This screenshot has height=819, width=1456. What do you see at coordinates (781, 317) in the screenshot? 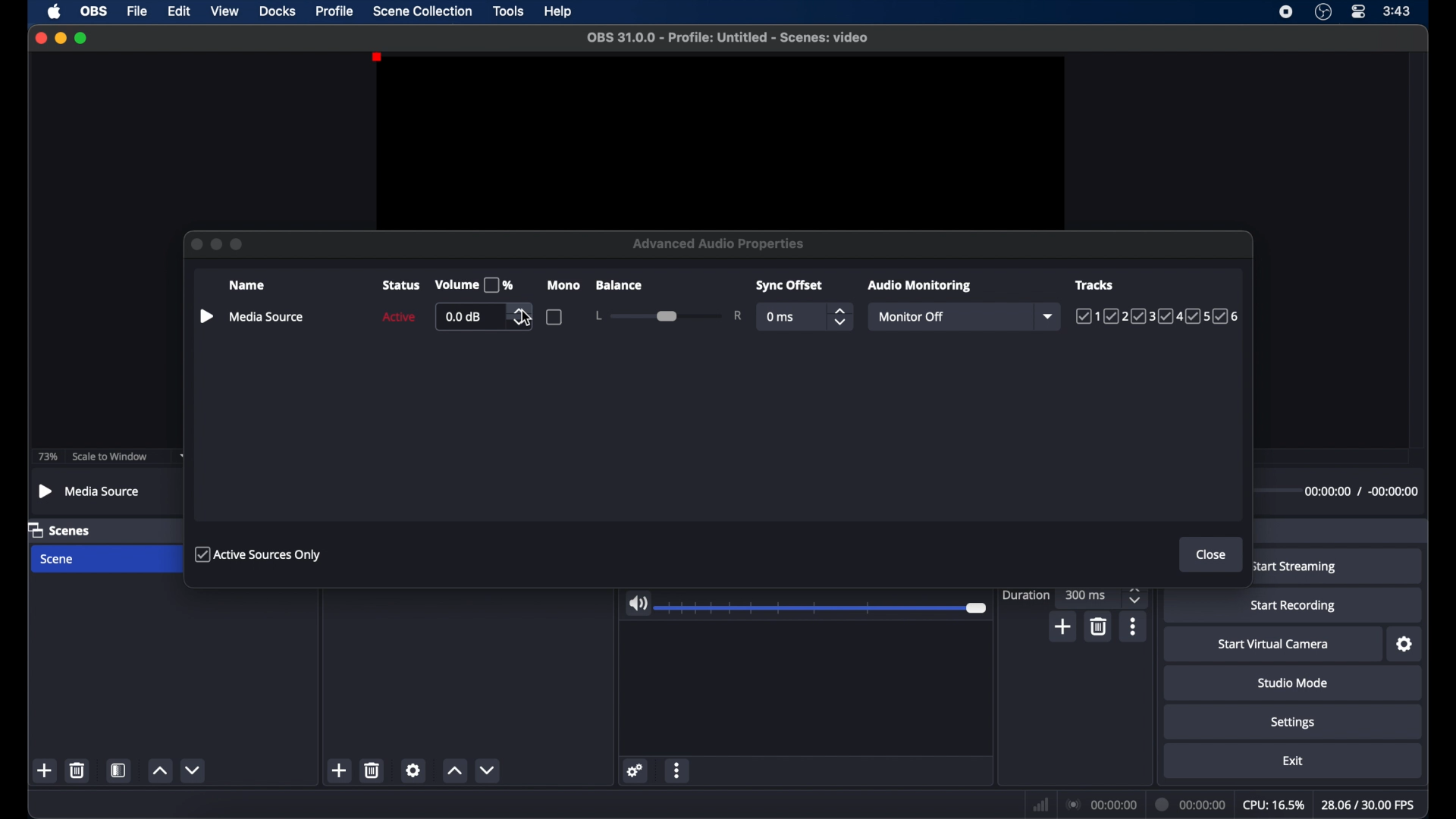
I see `0 ms` at bounding box center [781, 317].